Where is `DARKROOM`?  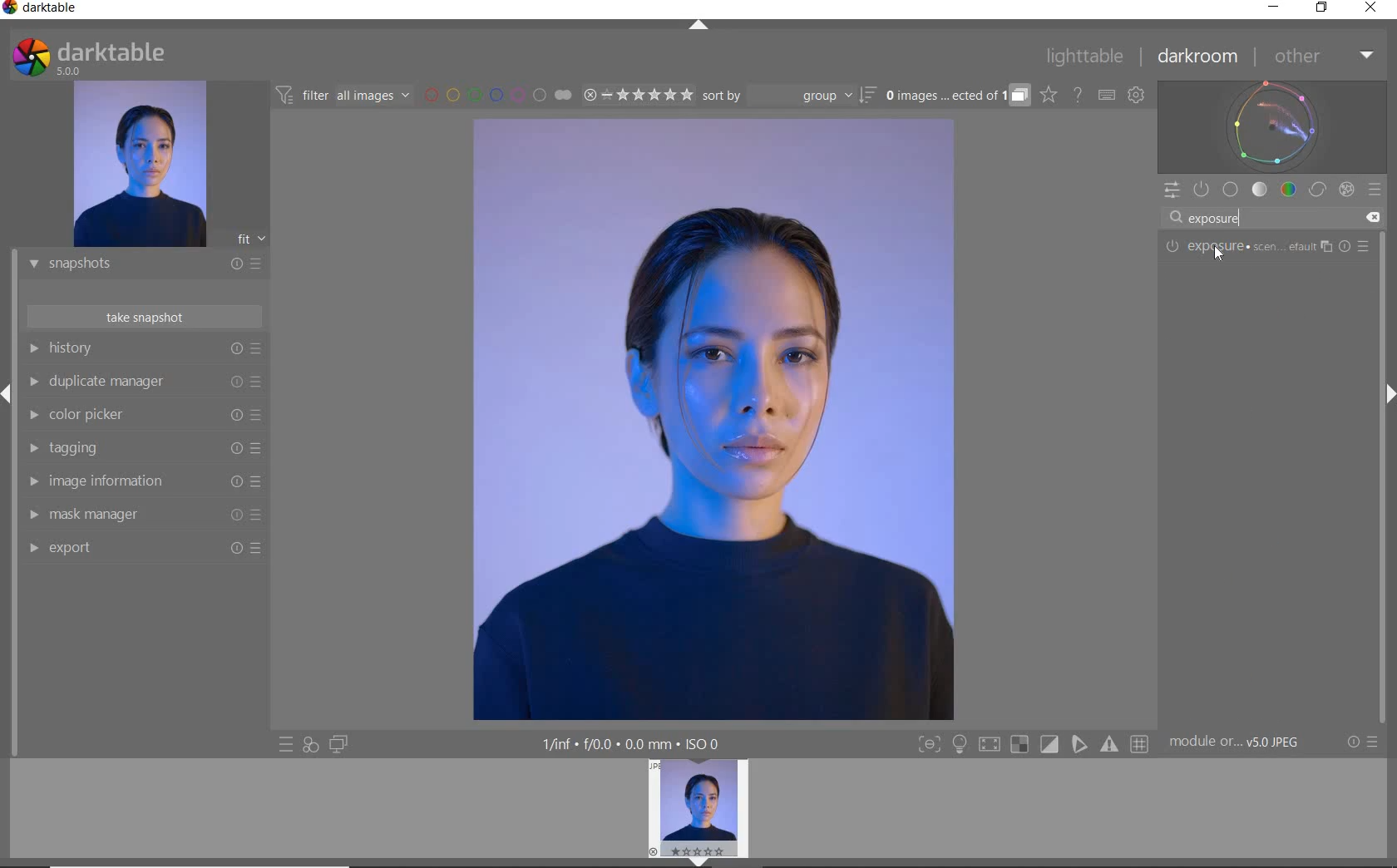
DARKROOM is located at coordinates (1198, 57).